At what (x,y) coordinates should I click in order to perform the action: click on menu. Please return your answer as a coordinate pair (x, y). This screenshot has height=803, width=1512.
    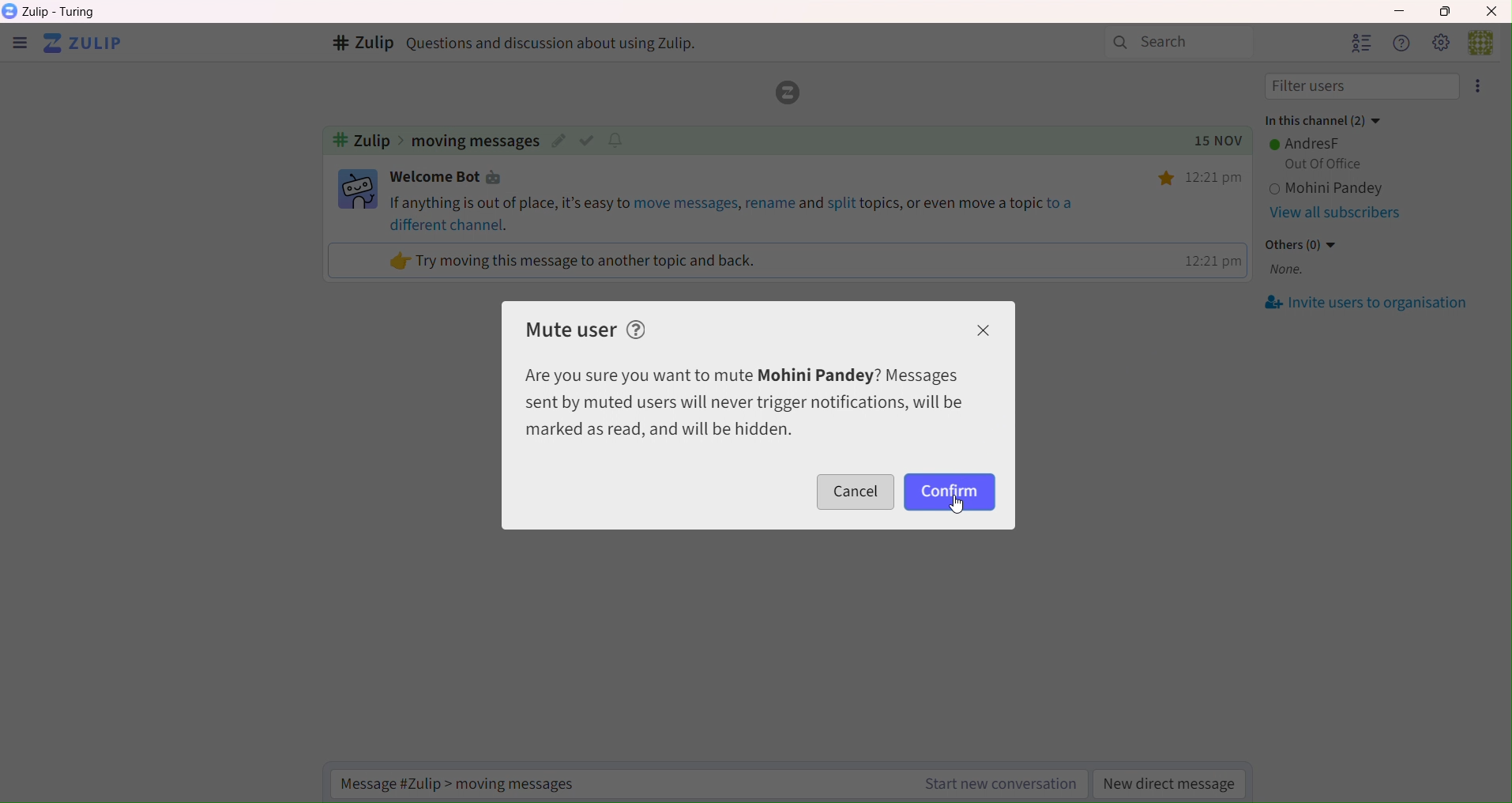
    Looking at the image, I should click on (19, 45).